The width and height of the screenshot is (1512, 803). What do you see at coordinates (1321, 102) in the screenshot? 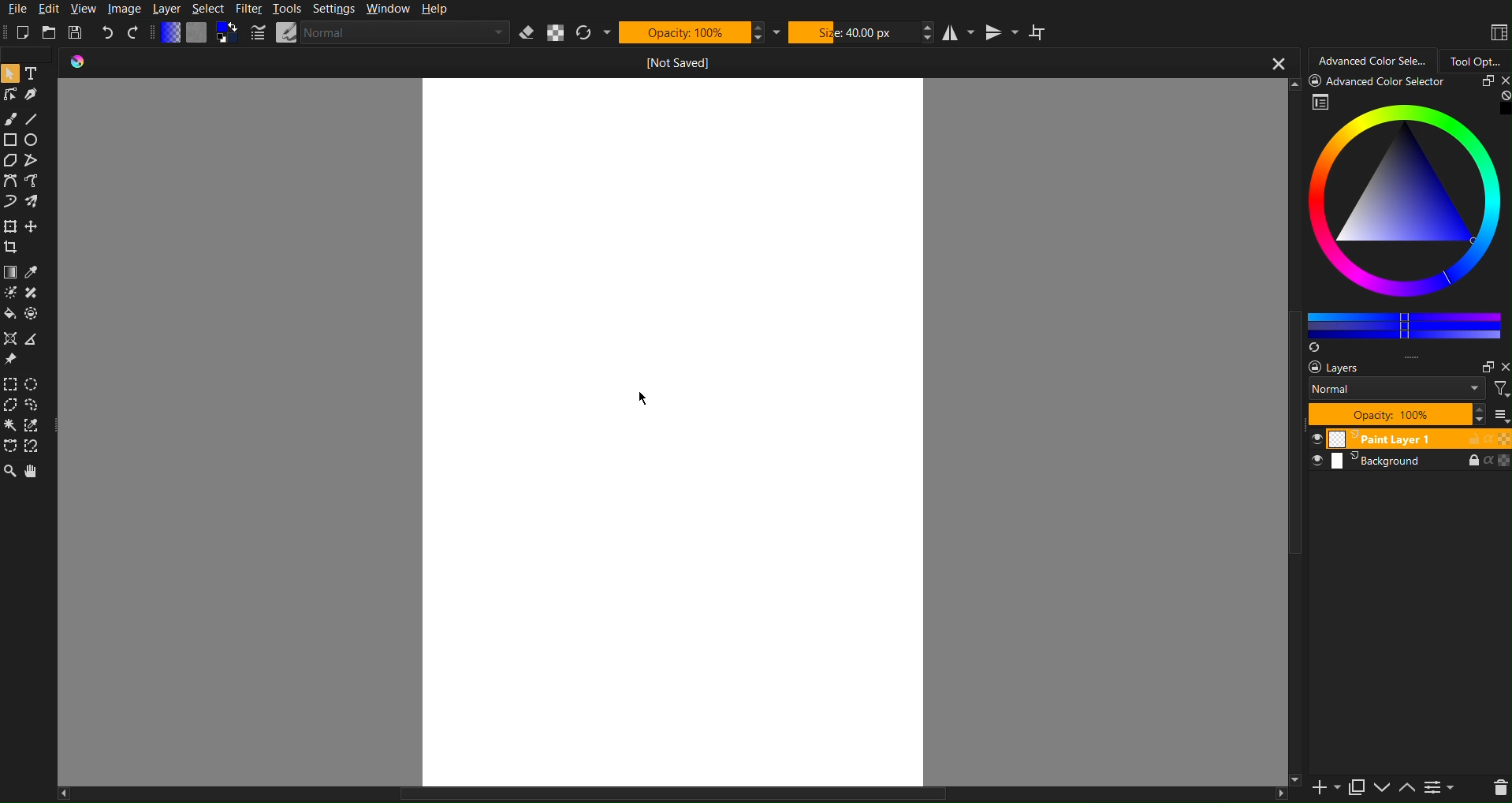
I see `properties` at bounding box center [1321, 102].